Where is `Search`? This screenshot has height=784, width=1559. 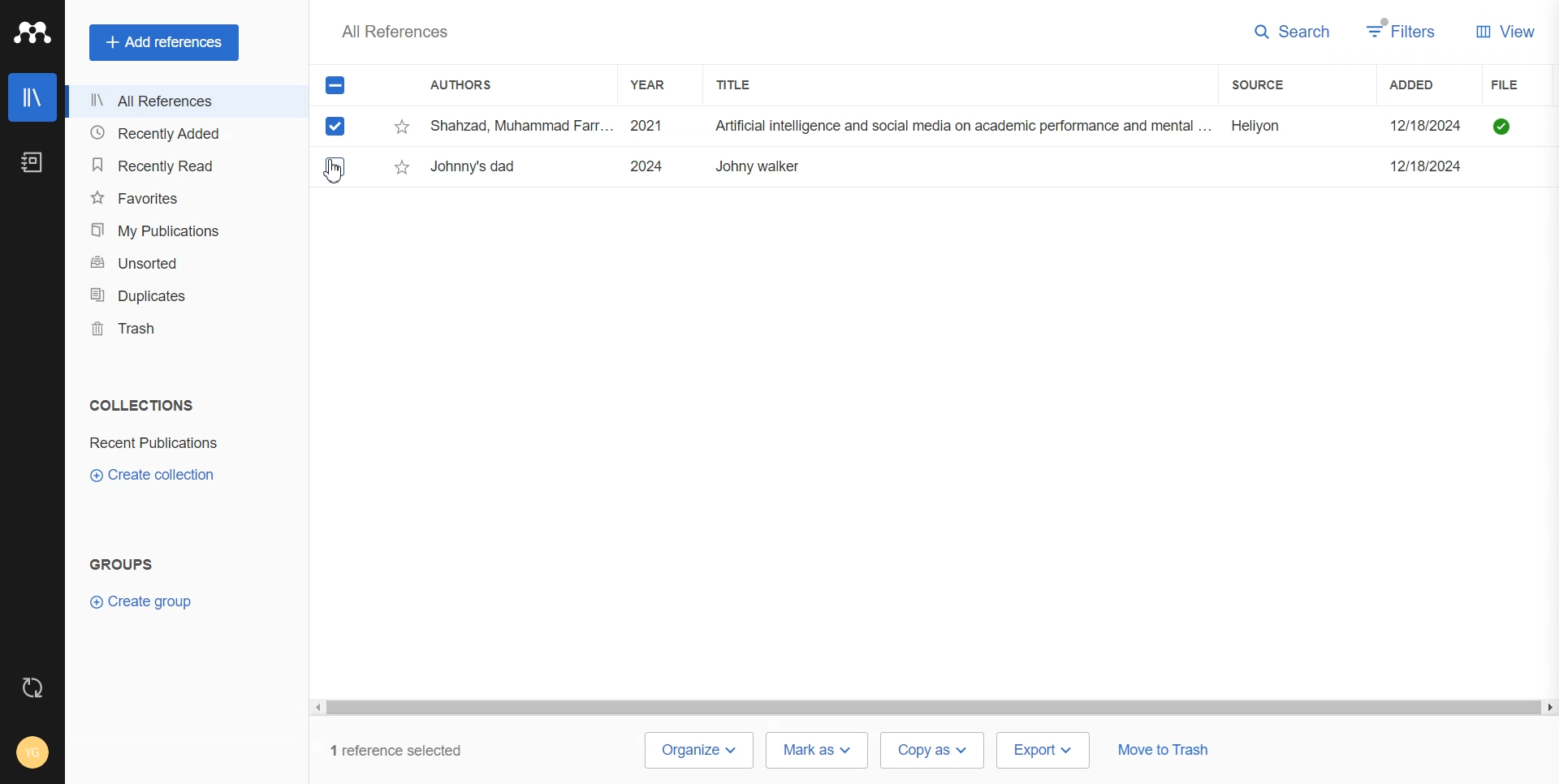
Search is located at coordinates (1293, 32).